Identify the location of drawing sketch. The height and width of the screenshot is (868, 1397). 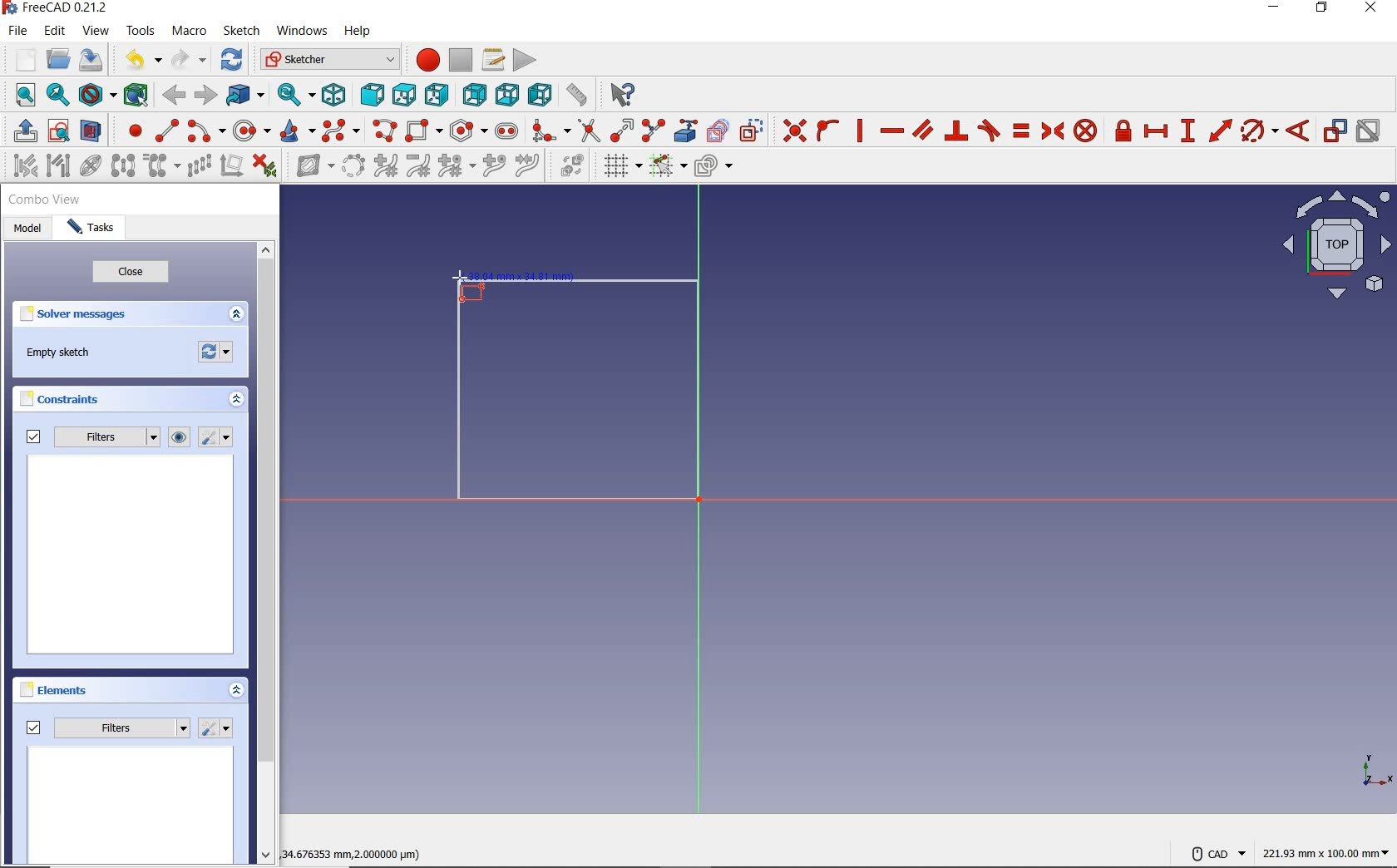
(578, 392).